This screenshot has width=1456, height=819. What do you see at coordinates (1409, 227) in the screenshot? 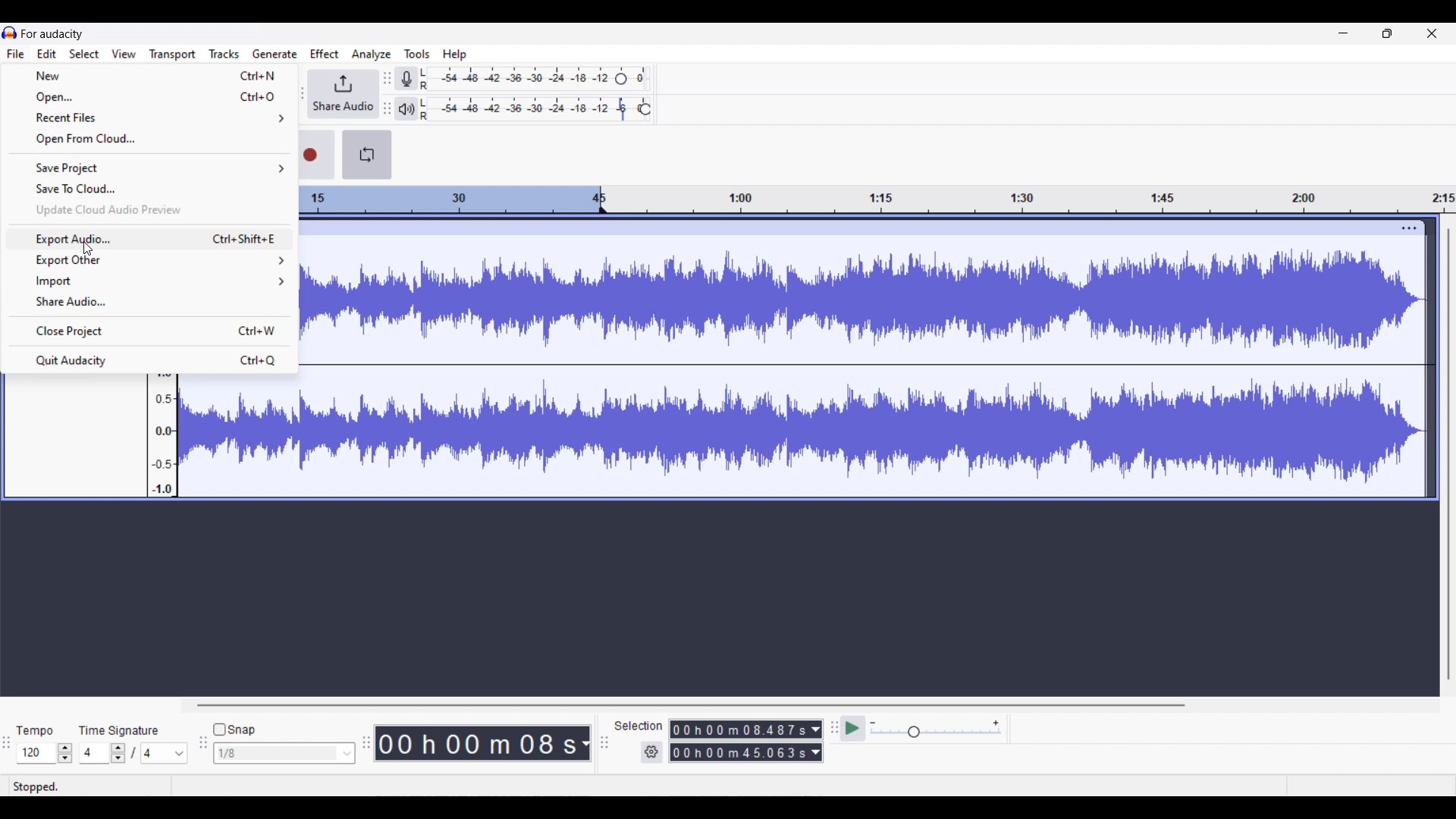
I see `Track settings` at bounding box center [1409, 227].